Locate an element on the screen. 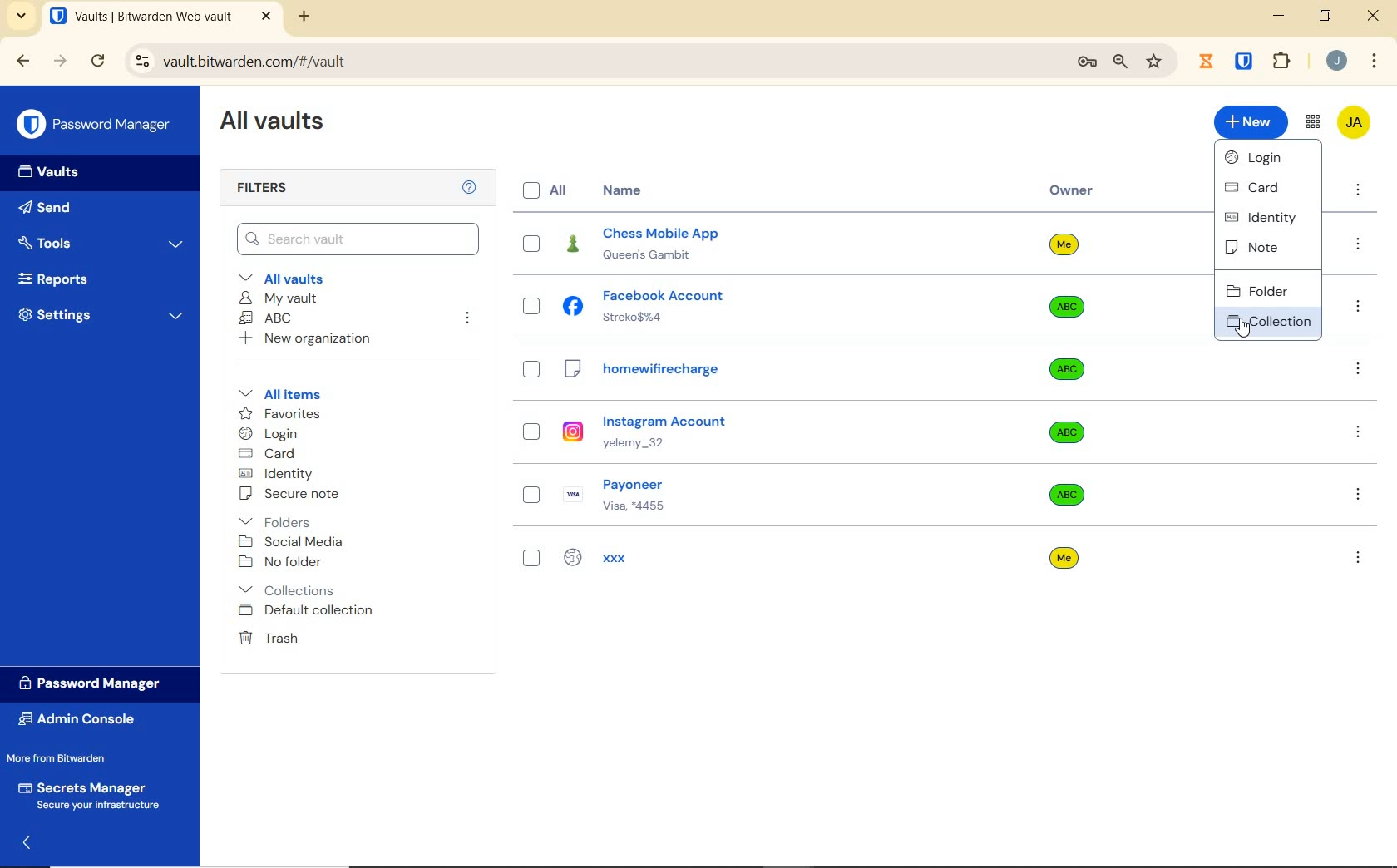  restore is located at coordinates (1325, 16).